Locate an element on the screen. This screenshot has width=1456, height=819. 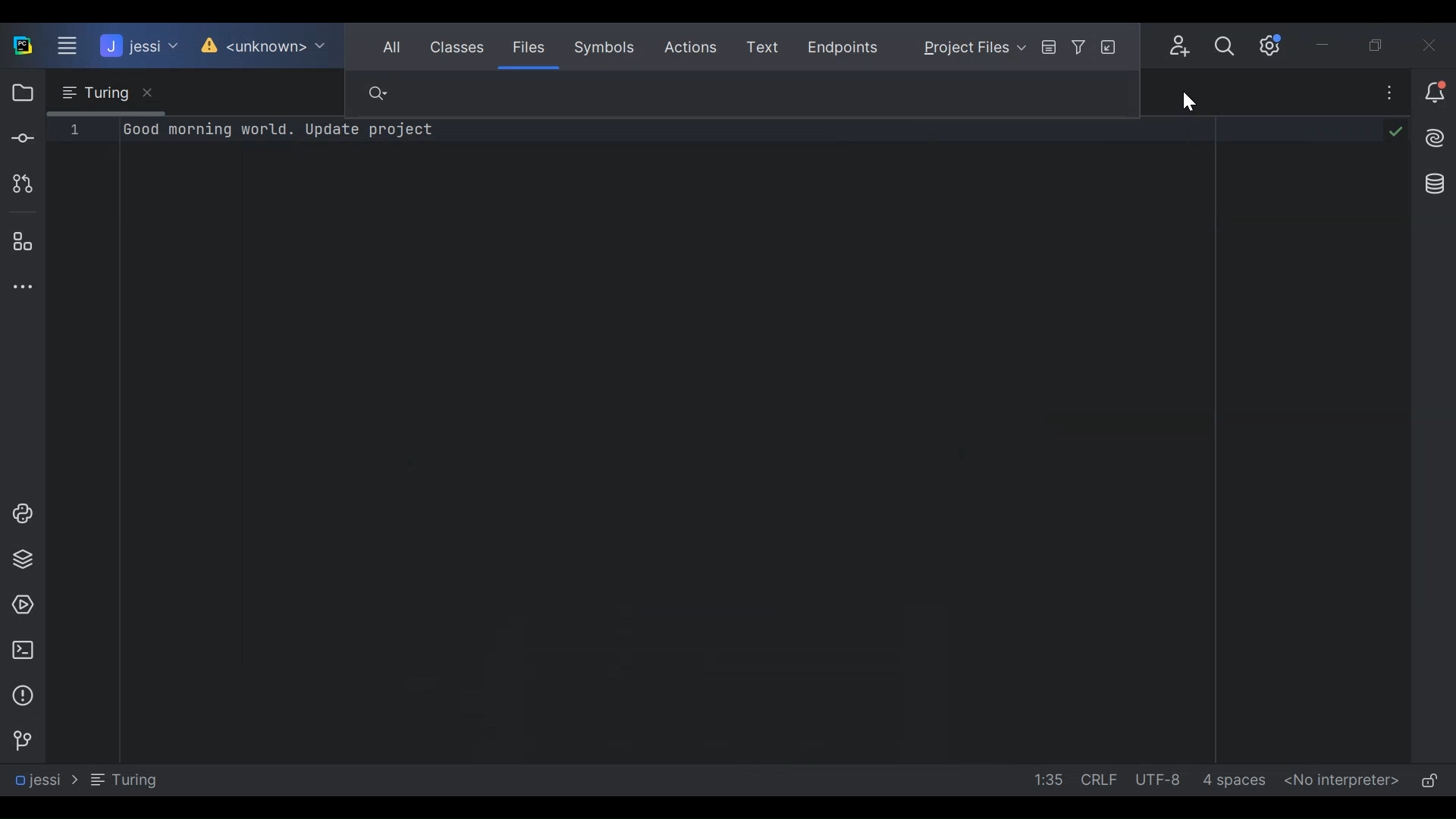
PyCharm Desktop Icon is located at coordinates (22, 46).